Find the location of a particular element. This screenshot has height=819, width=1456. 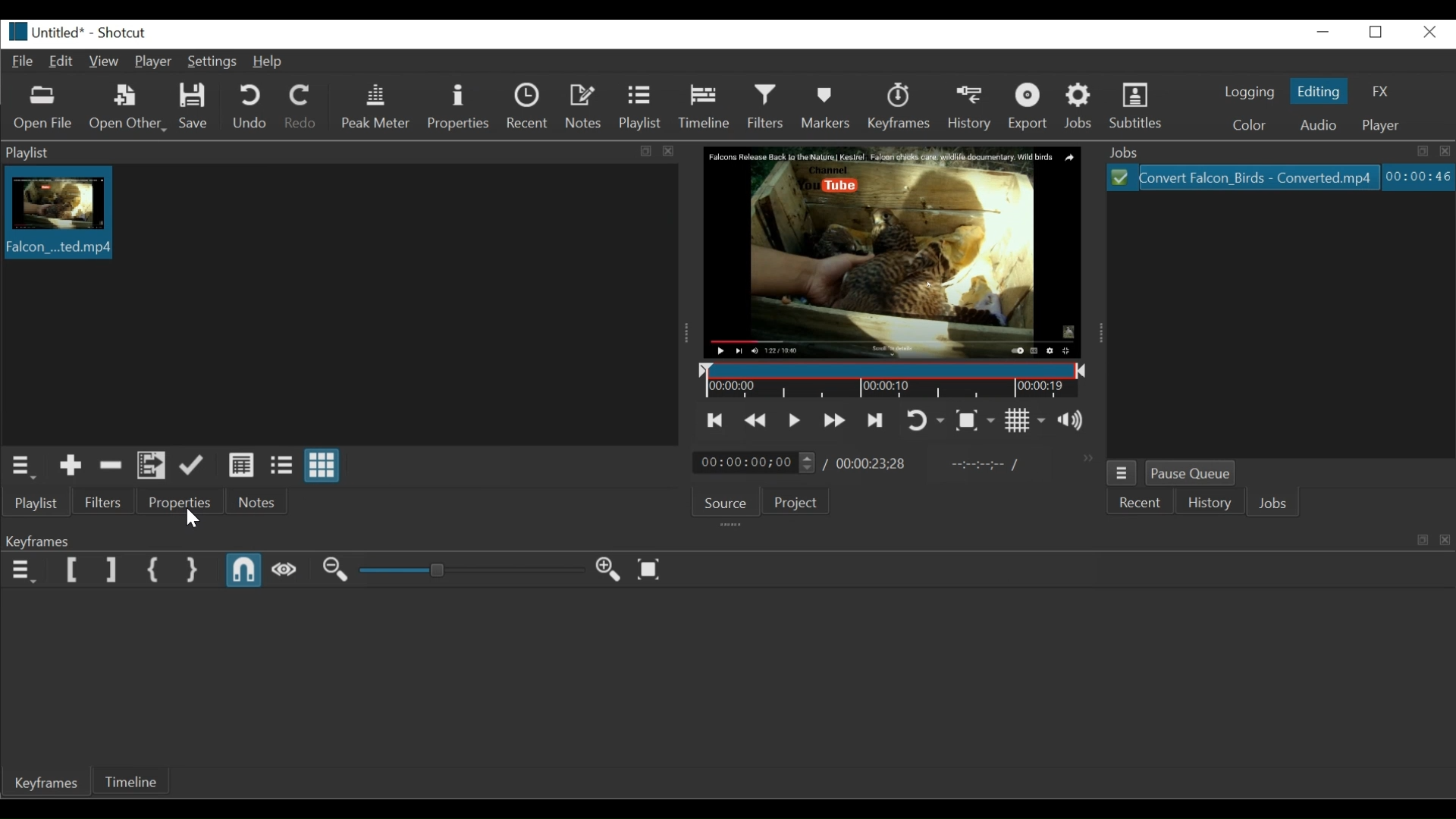

Undo is located at coordinates (246, 108).